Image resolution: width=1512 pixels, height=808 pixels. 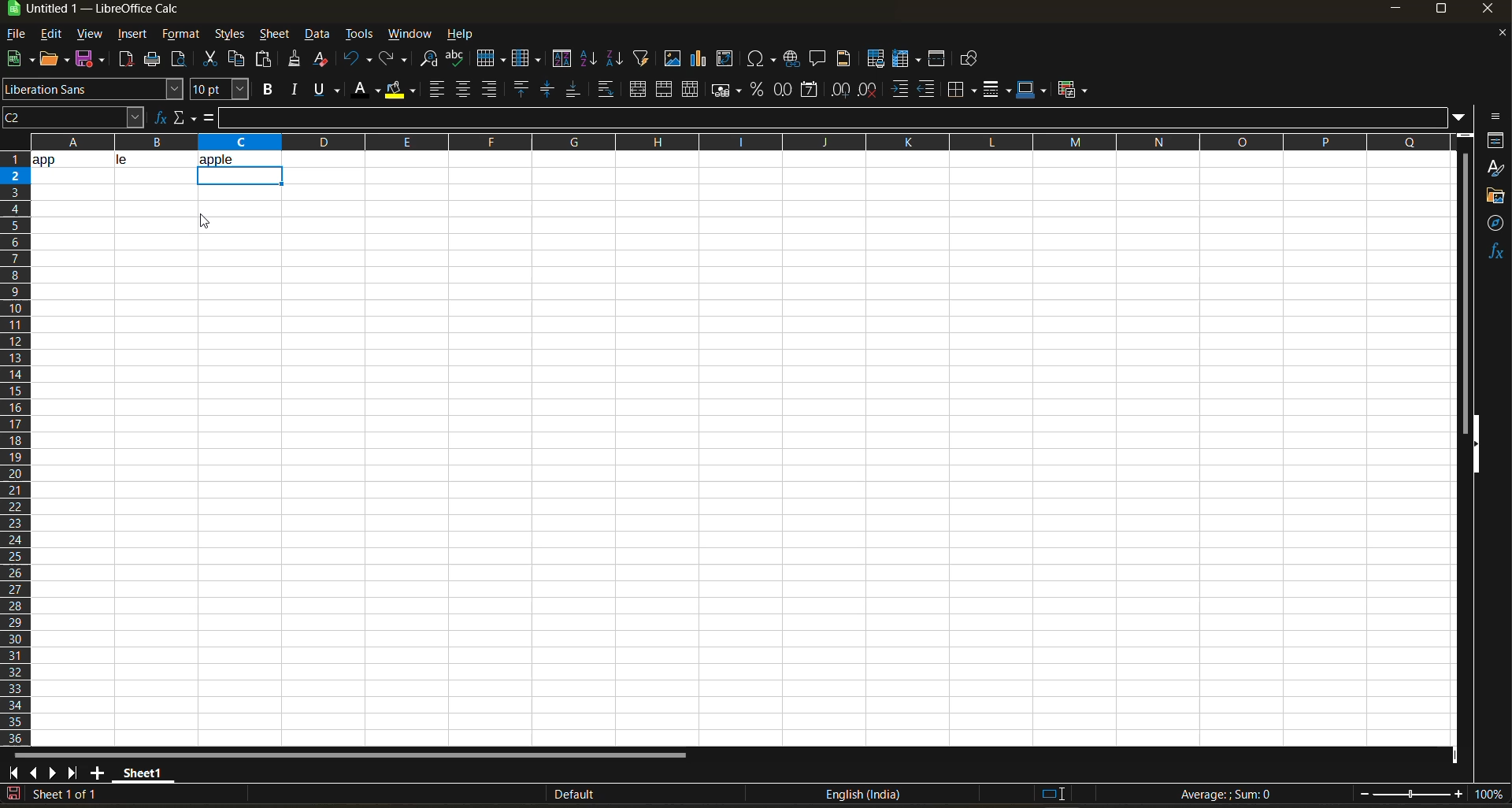 What do you see at coordinates (930, 90) in the screenshot?
I see `decrease indent` at bounding box center [930, 90].